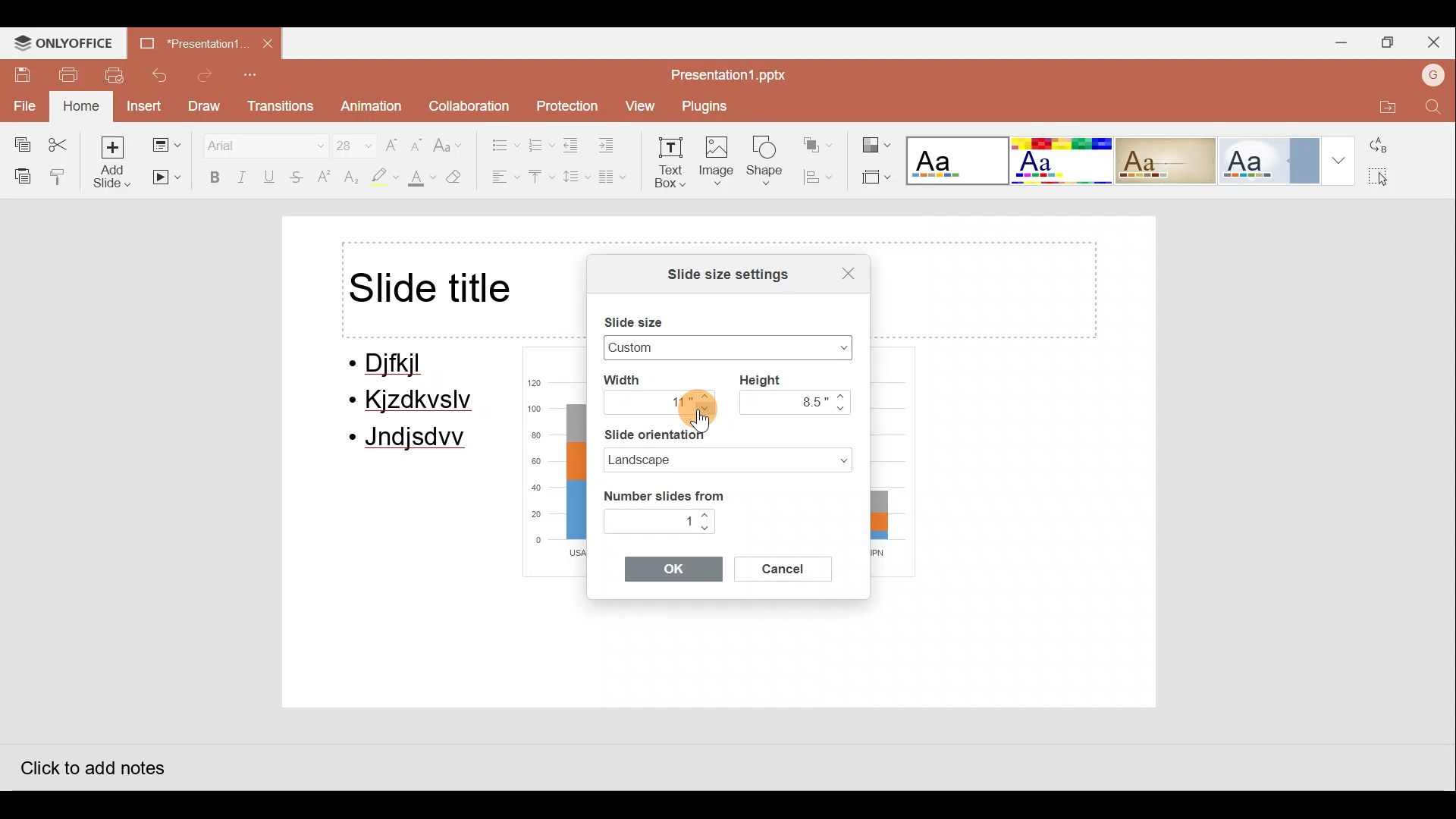 This screenshot has width=1456, height=819. What do you see at coordinates (959, 162) in the screenshot?
I see `Theme 1` at bounding box center [959, 162].